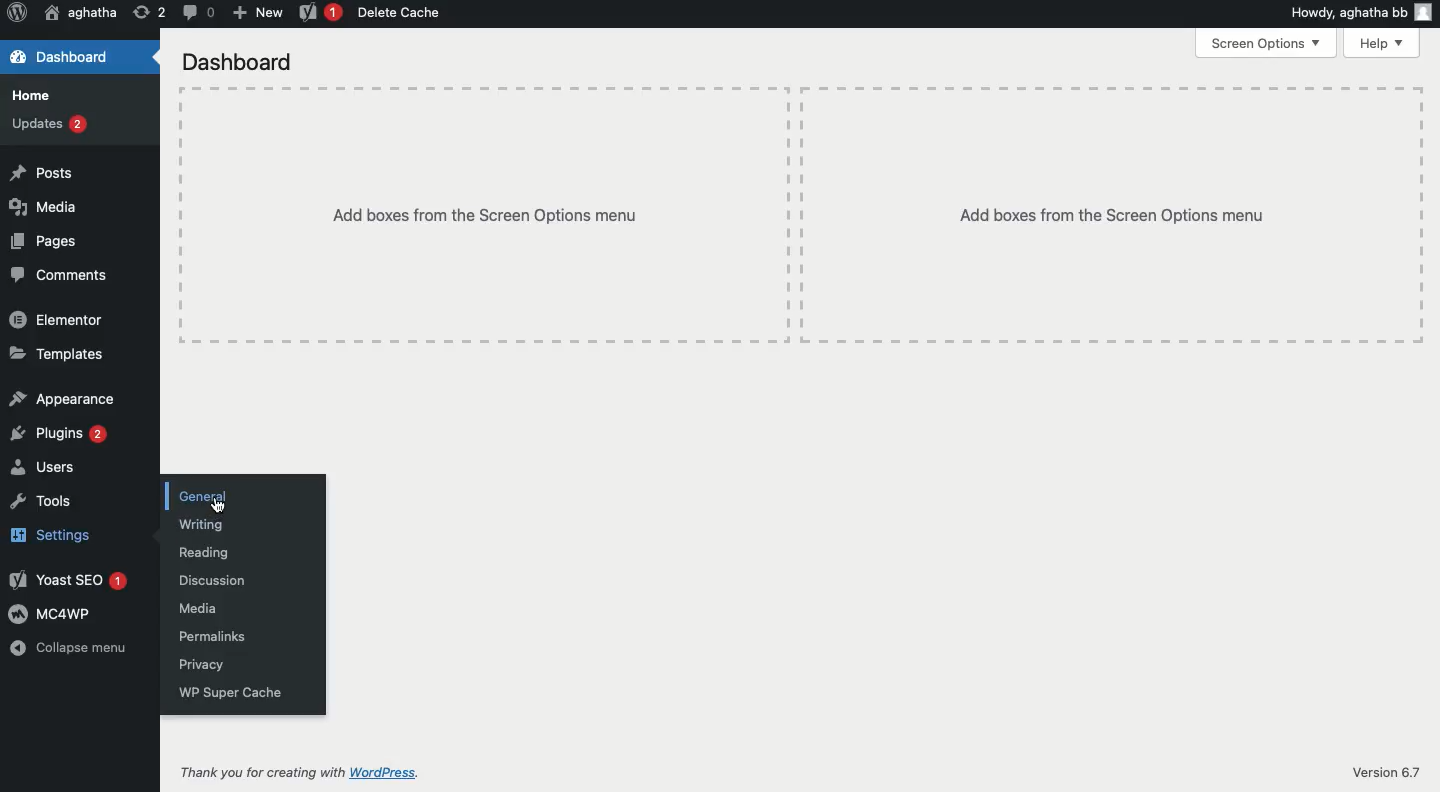 The image size is (1440, 792). I want to click on MC4WP, so click(51, 614).